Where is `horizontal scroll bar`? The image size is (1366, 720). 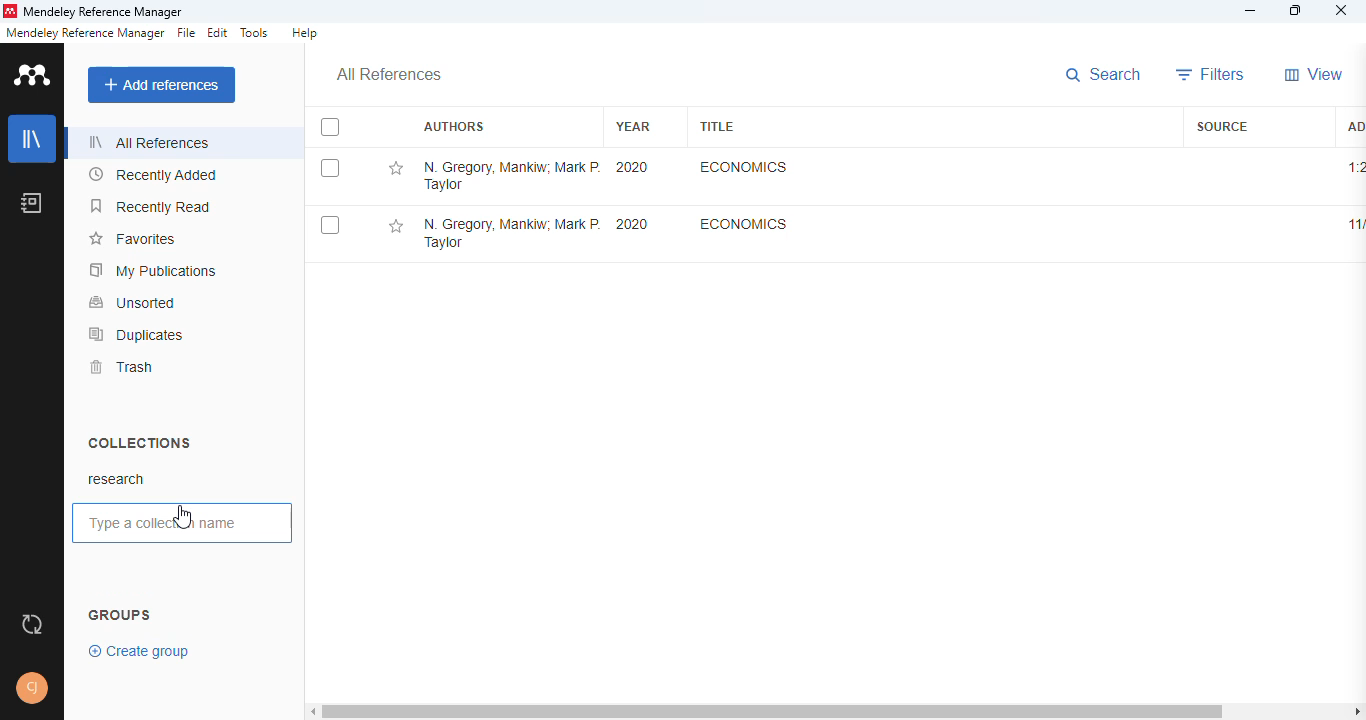 horizontal scroll bar is located at coordinates (839, 709).